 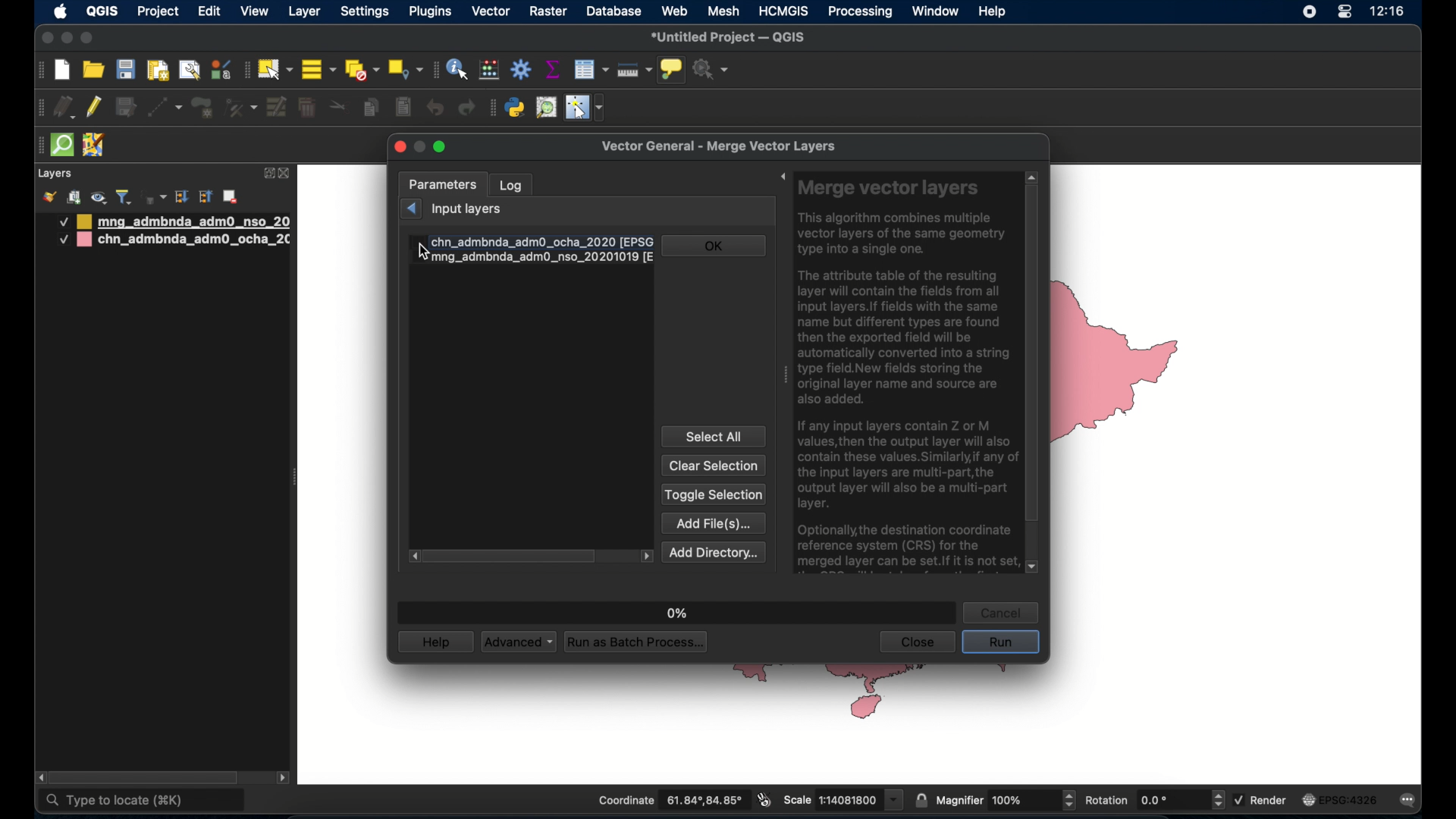 What do you see at coordinates (66, 39) in the screenshot?
I see `minimize` at bounding box center [66, 39].